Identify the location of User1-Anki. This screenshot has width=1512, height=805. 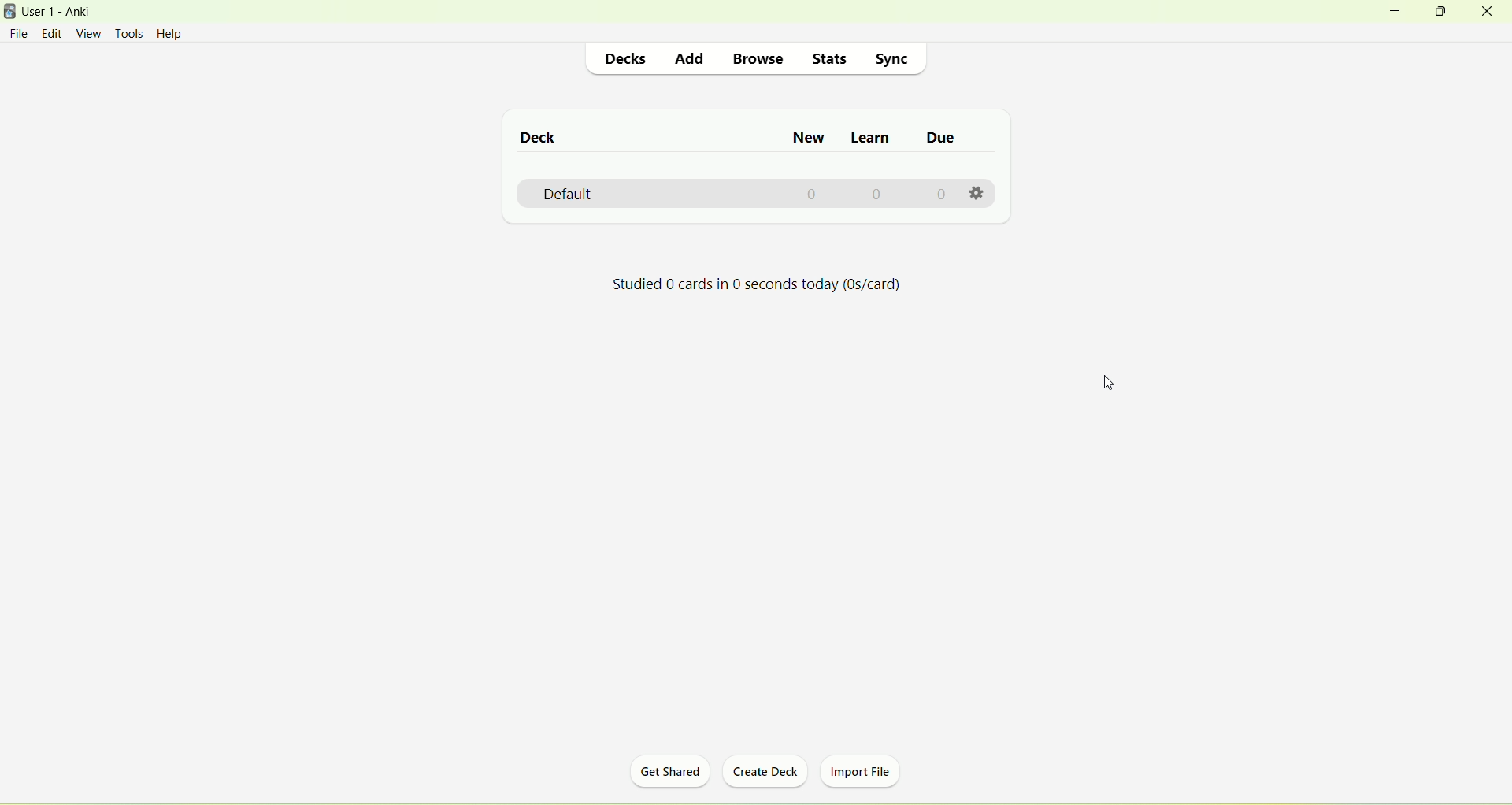
(55, 12).